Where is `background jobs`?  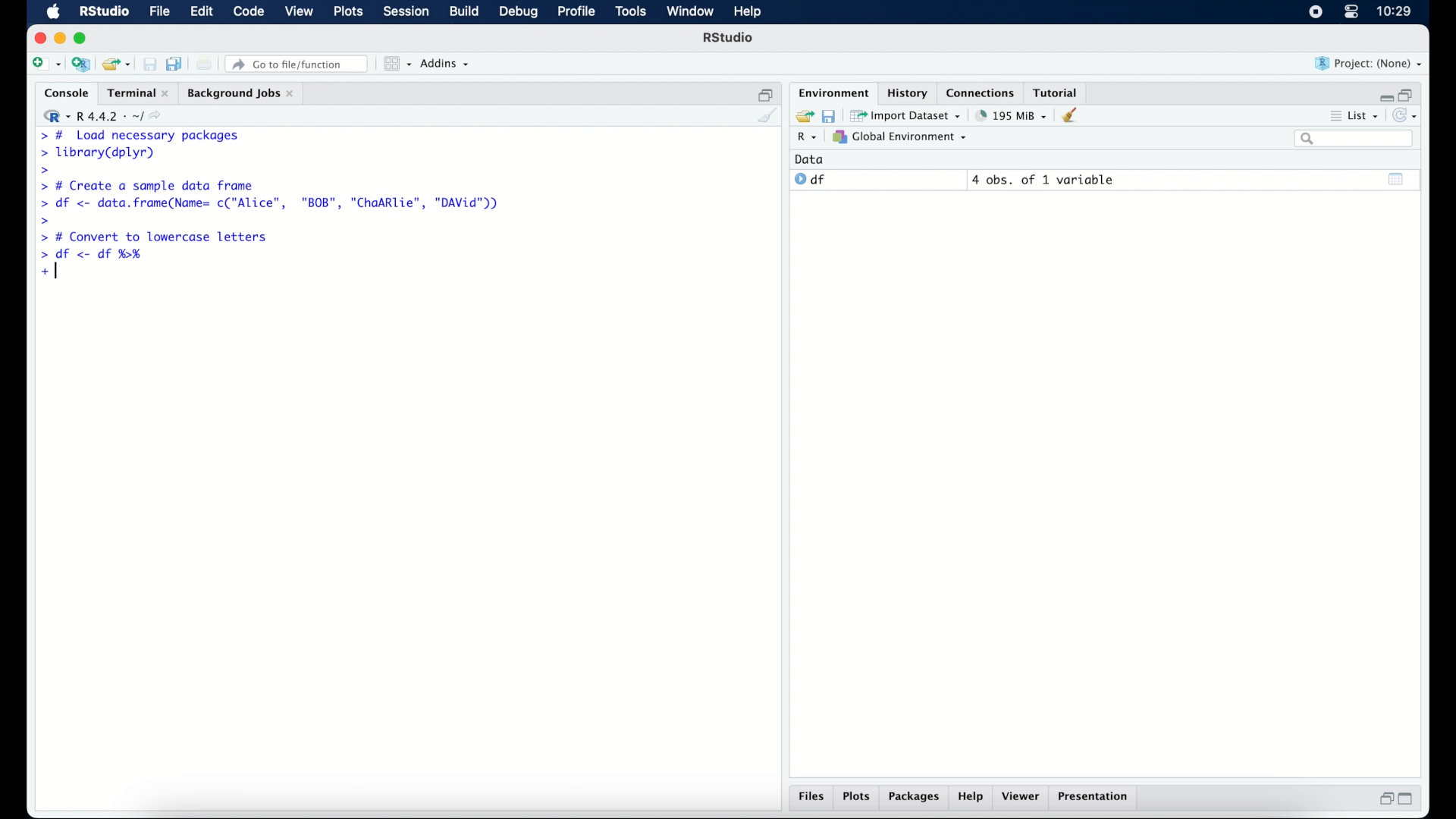
background jobs is located at coordinates (240, 93).